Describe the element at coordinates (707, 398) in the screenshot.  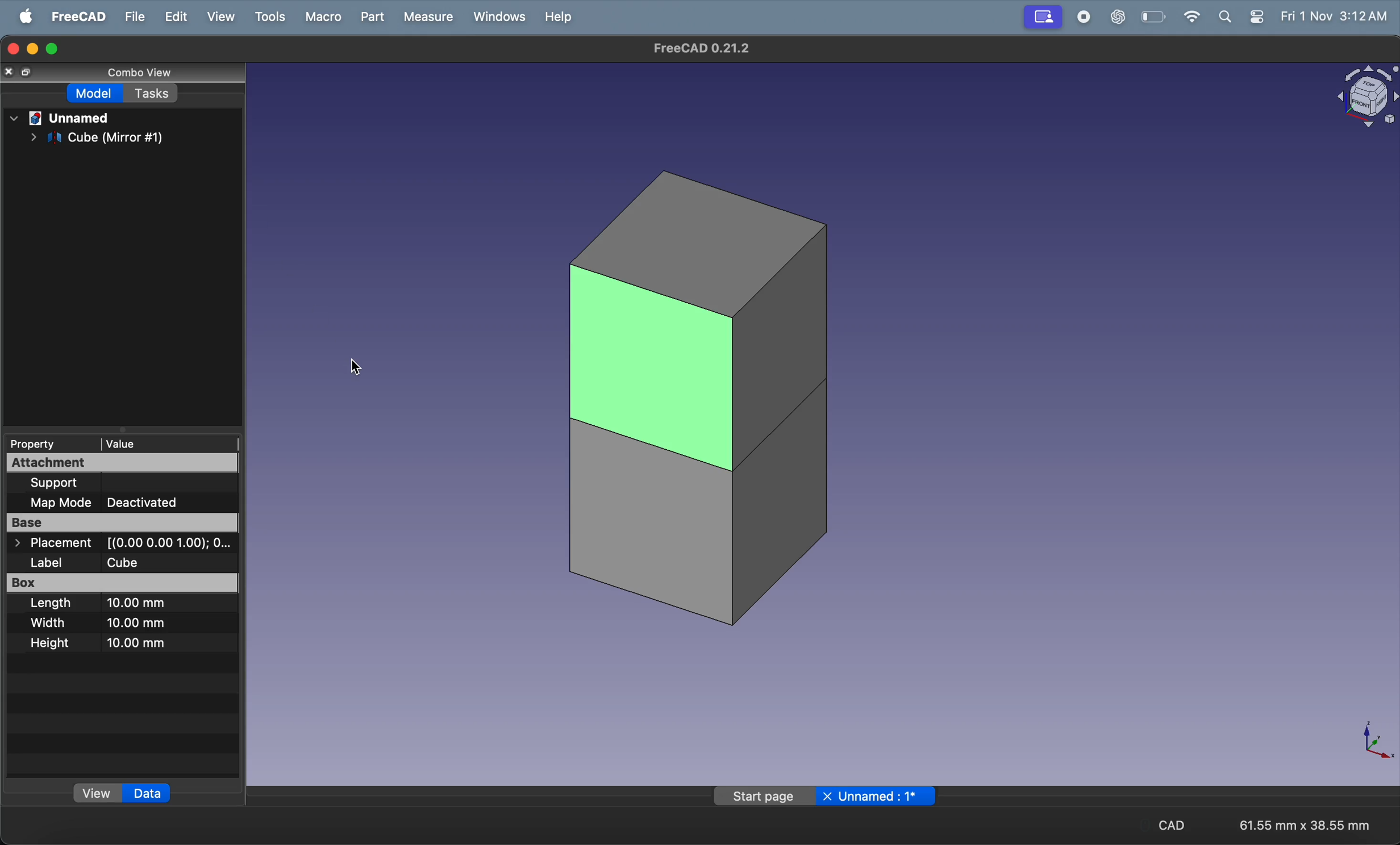
I see `cubes` at that location.